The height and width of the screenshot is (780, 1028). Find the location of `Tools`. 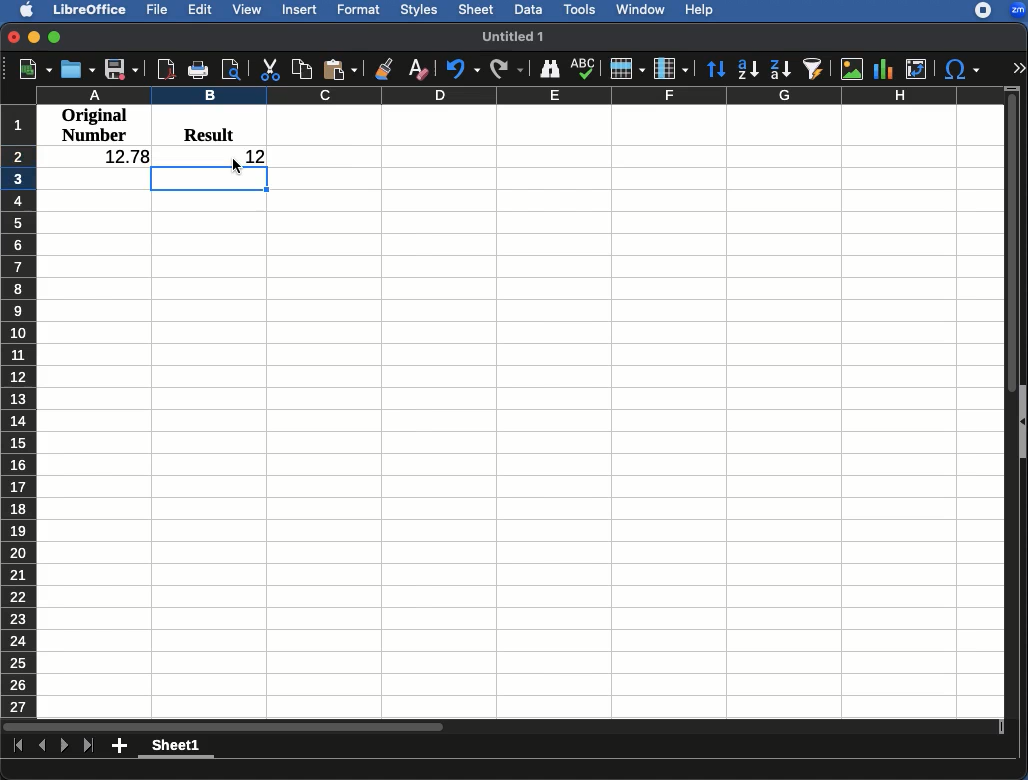

Tools is located at coordinates (580, 8).